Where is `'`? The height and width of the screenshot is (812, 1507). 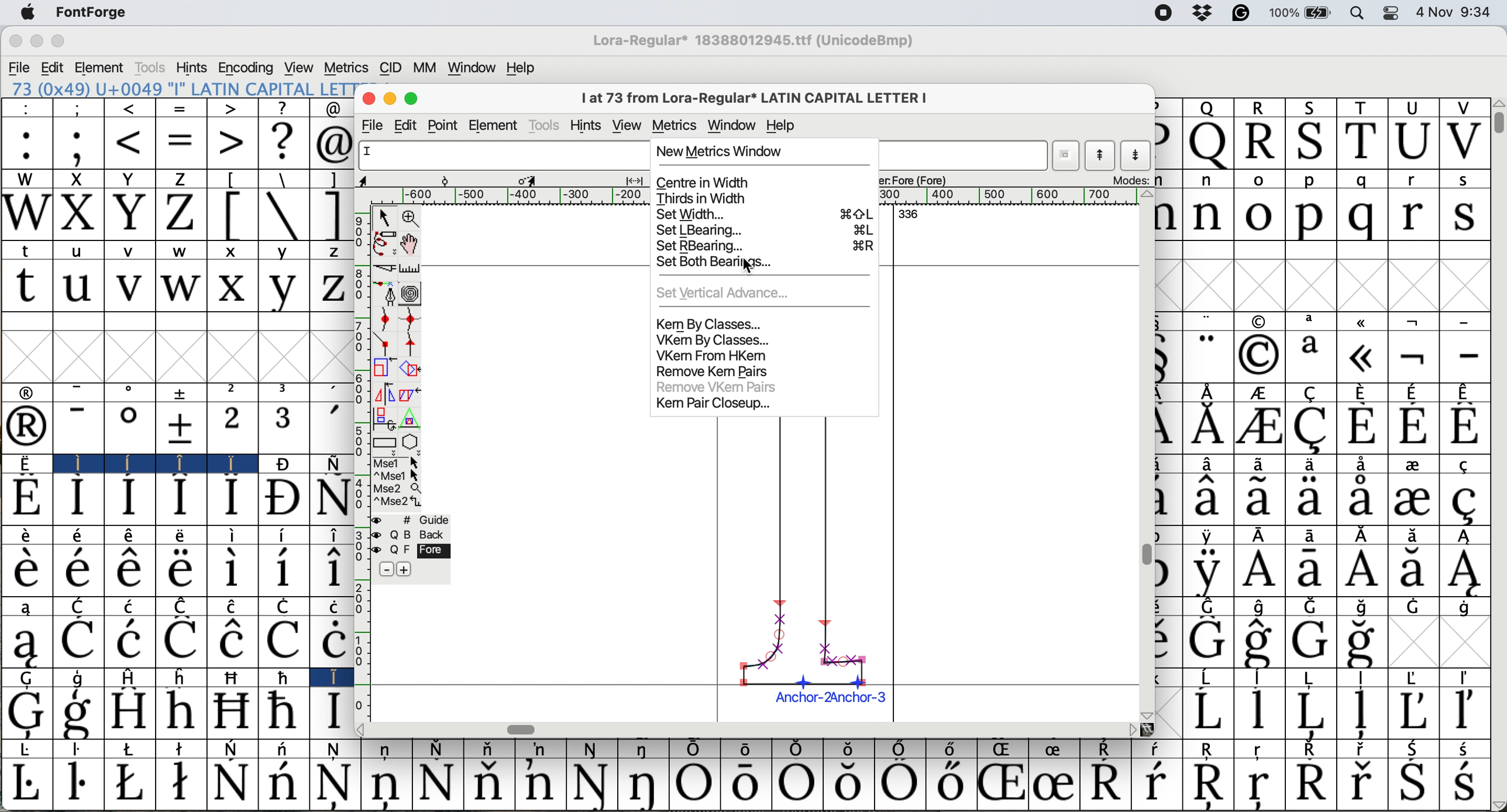
' is located at coordinates (332, 429).